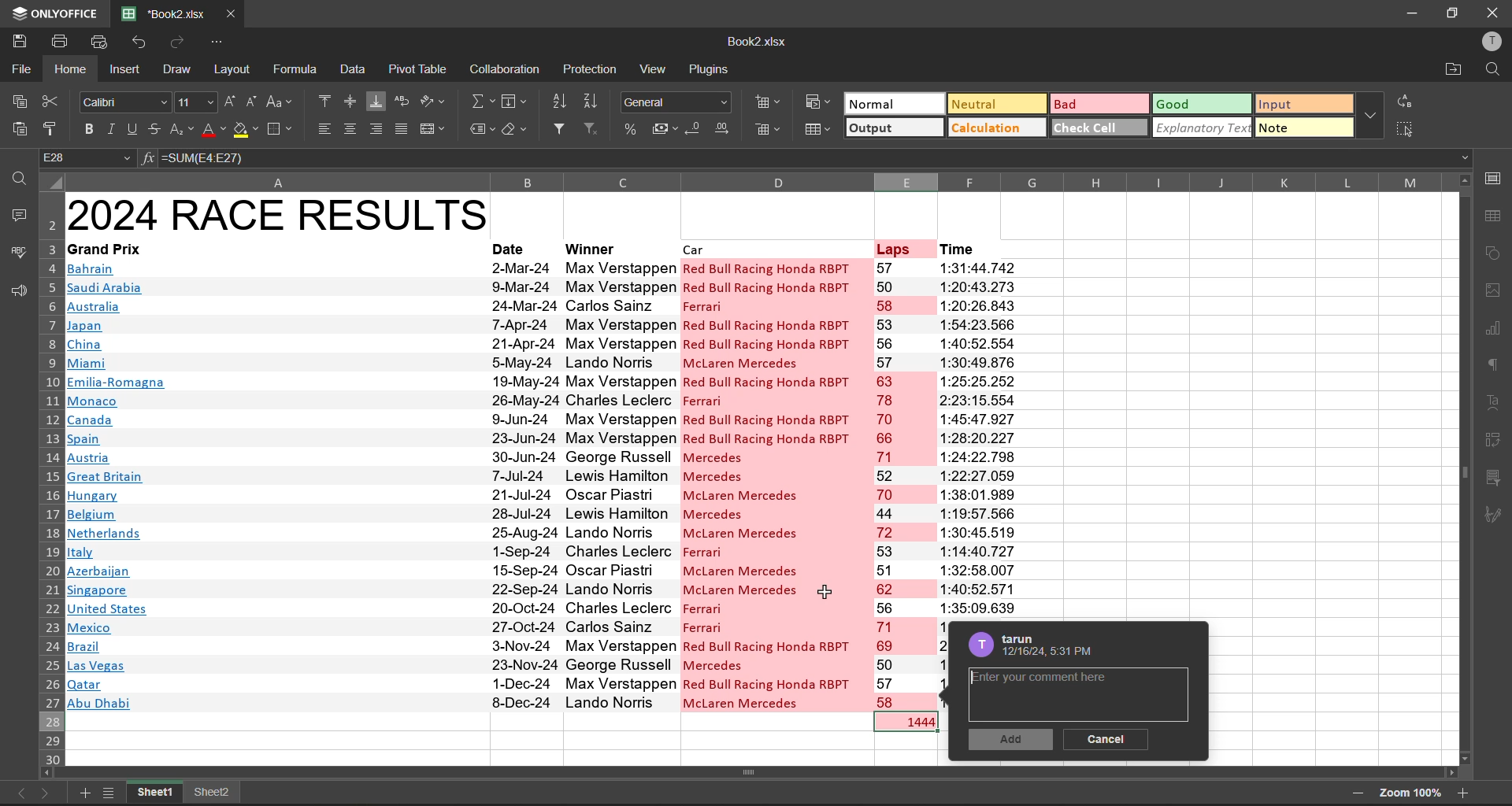  What do you see at coordinates (18, 216) in the screenshot?
I see `comments` at bounding box center [18, 216].